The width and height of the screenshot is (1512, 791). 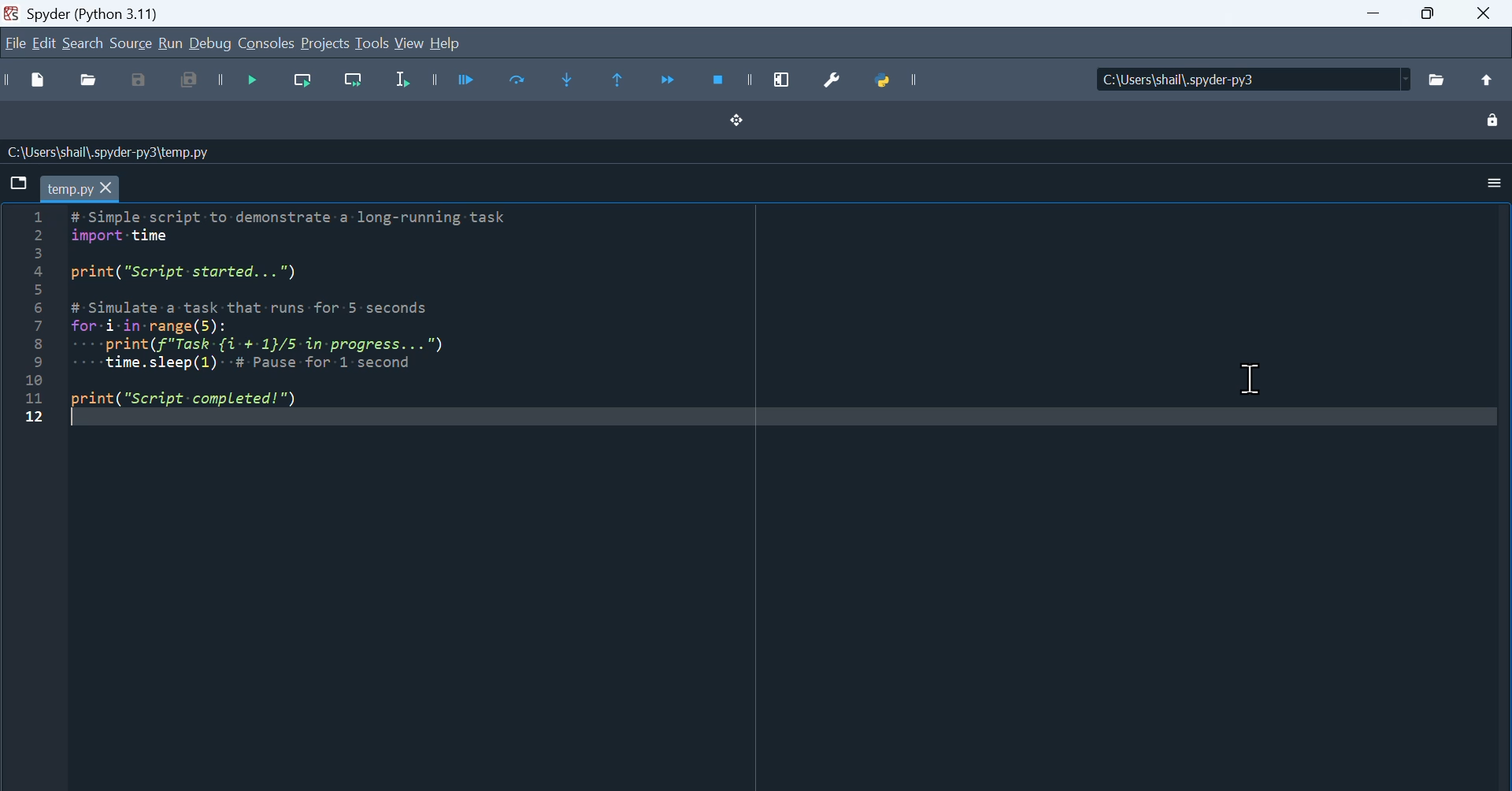 I want to click on Run files, so click(x=468, y=83).